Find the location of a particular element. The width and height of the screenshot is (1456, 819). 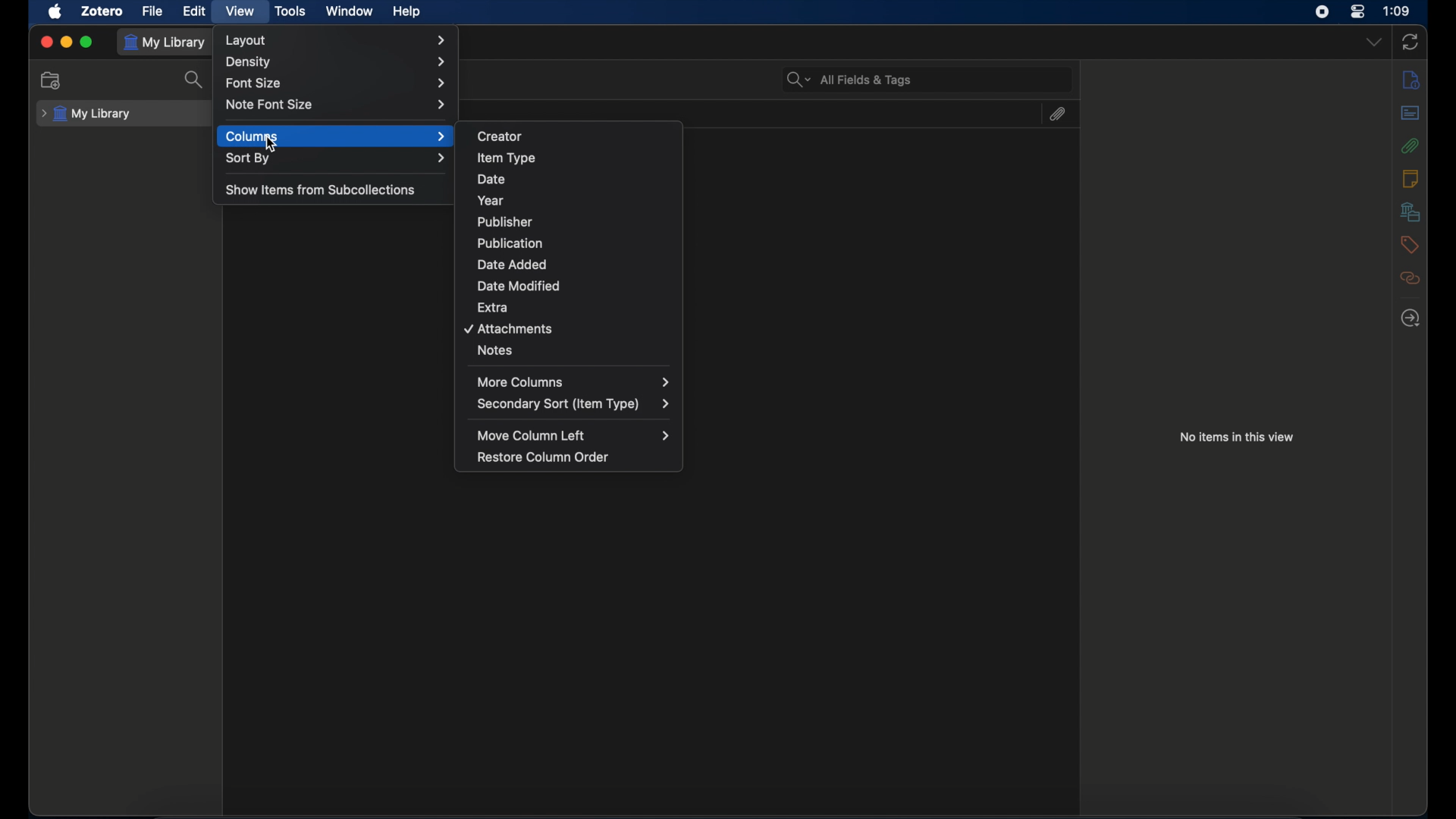

tags is located at coordinates (1409, 243).